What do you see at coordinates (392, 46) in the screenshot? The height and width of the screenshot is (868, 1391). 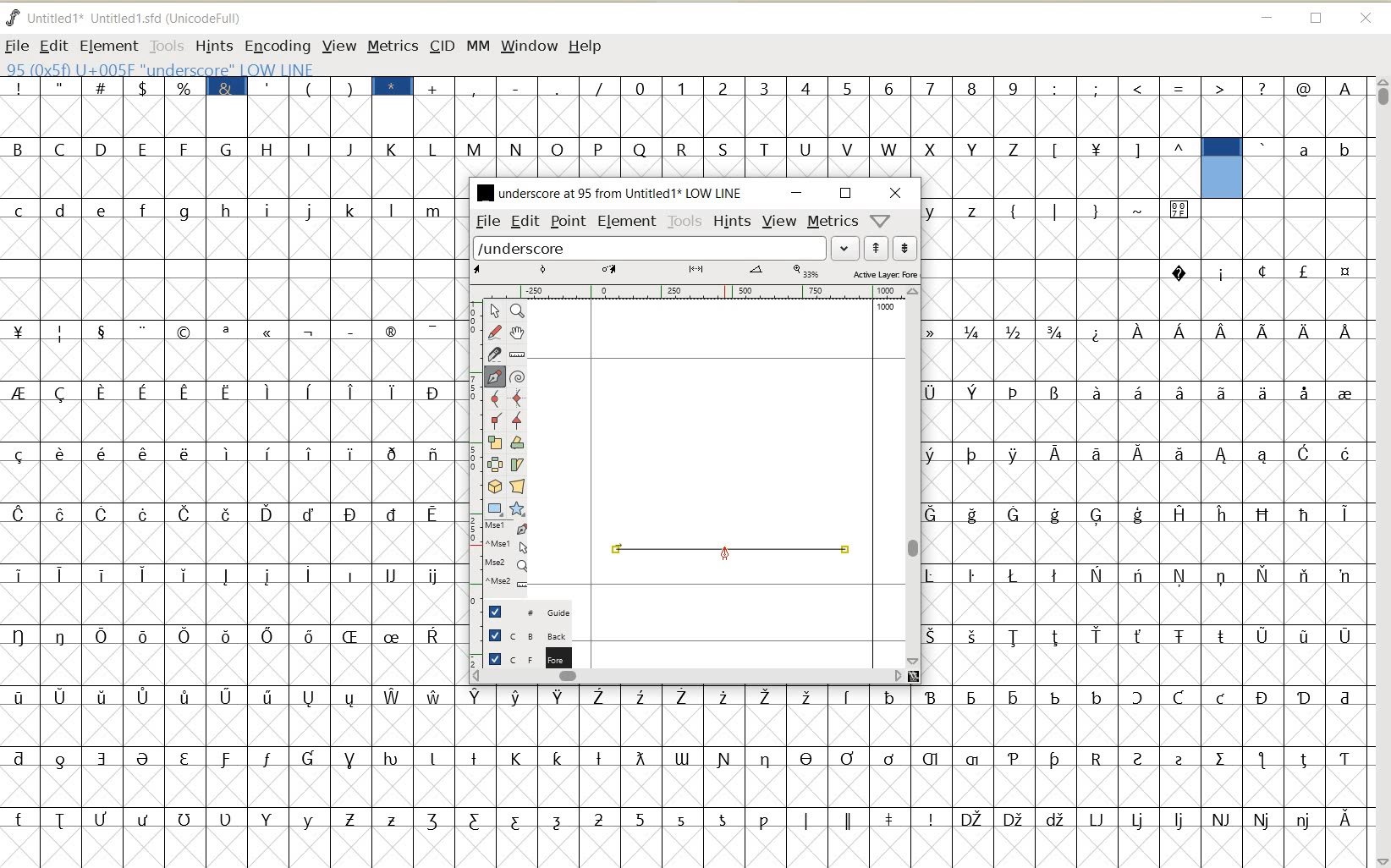 I see `METRICS` at bounding box center [392, 46].